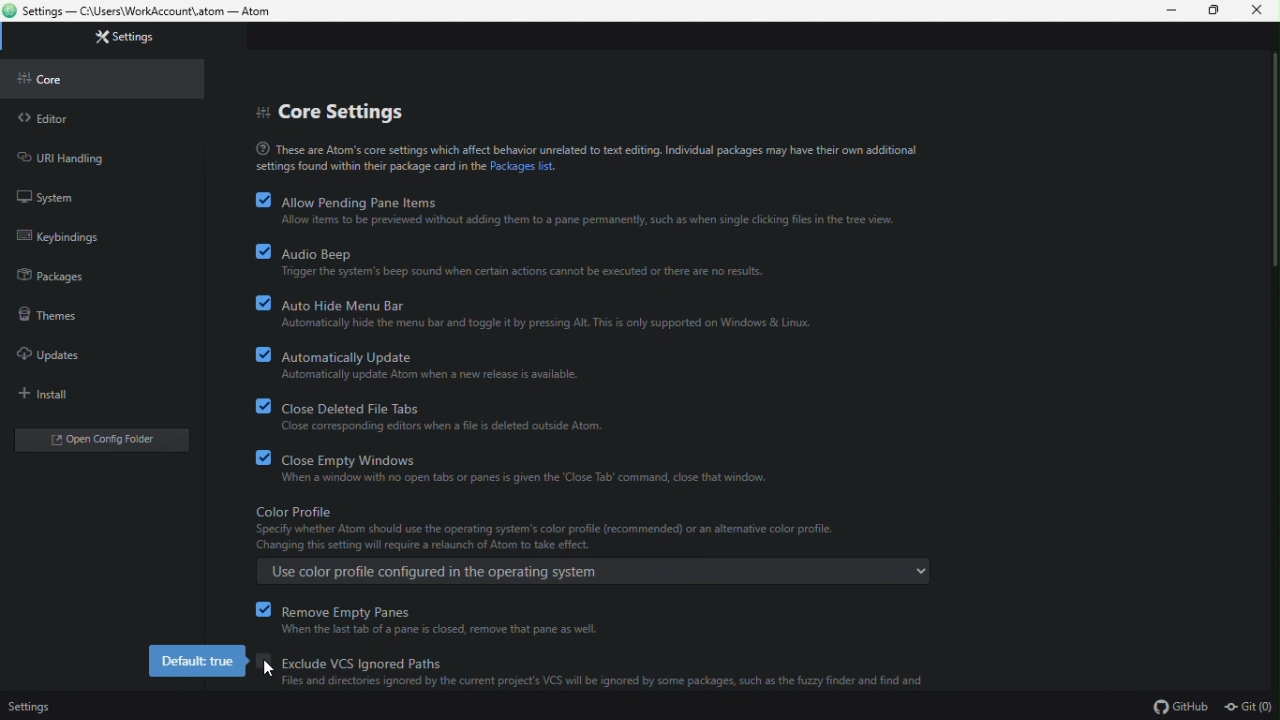 The width and height of the screenshot is (1280, 720). What do you see at coordinates (586, 467) in the screenshot?
I see `Close empty Windows` at bounding box center [586, 467].